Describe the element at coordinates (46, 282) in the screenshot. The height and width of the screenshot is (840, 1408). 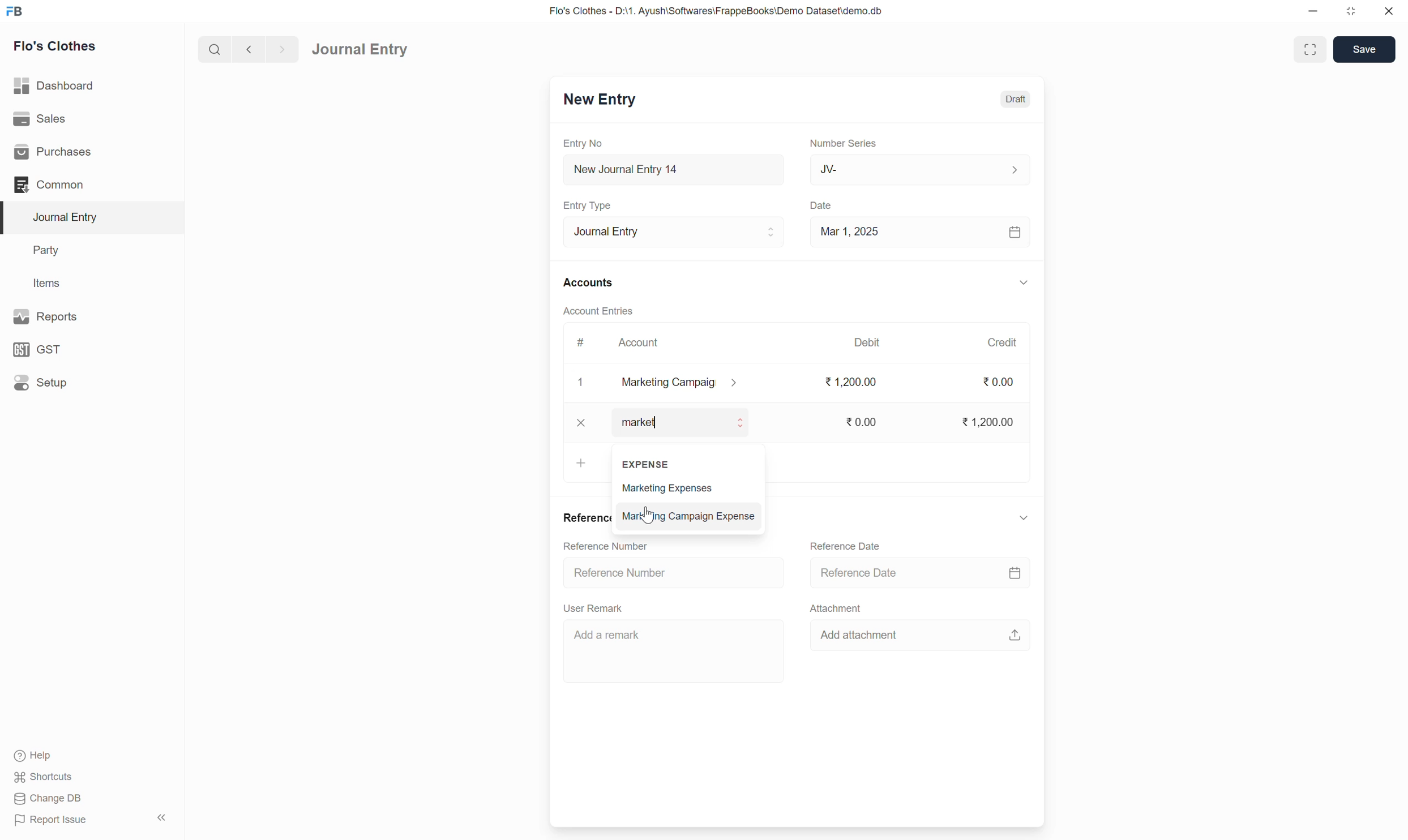
I see `Items` at that location.